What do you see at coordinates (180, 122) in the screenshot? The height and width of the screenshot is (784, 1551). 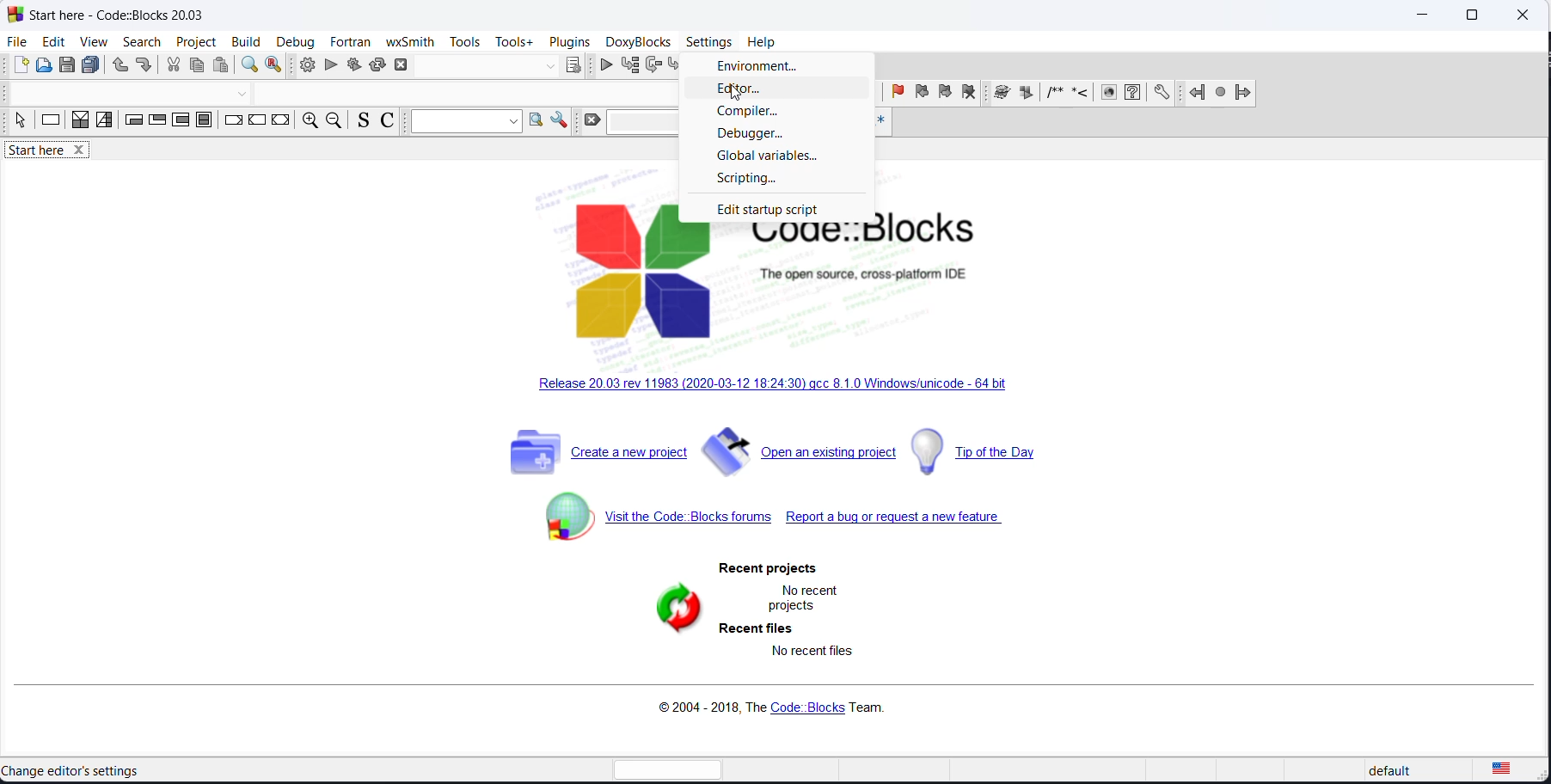 I see `counting loop` at bounding box center [180, 122].